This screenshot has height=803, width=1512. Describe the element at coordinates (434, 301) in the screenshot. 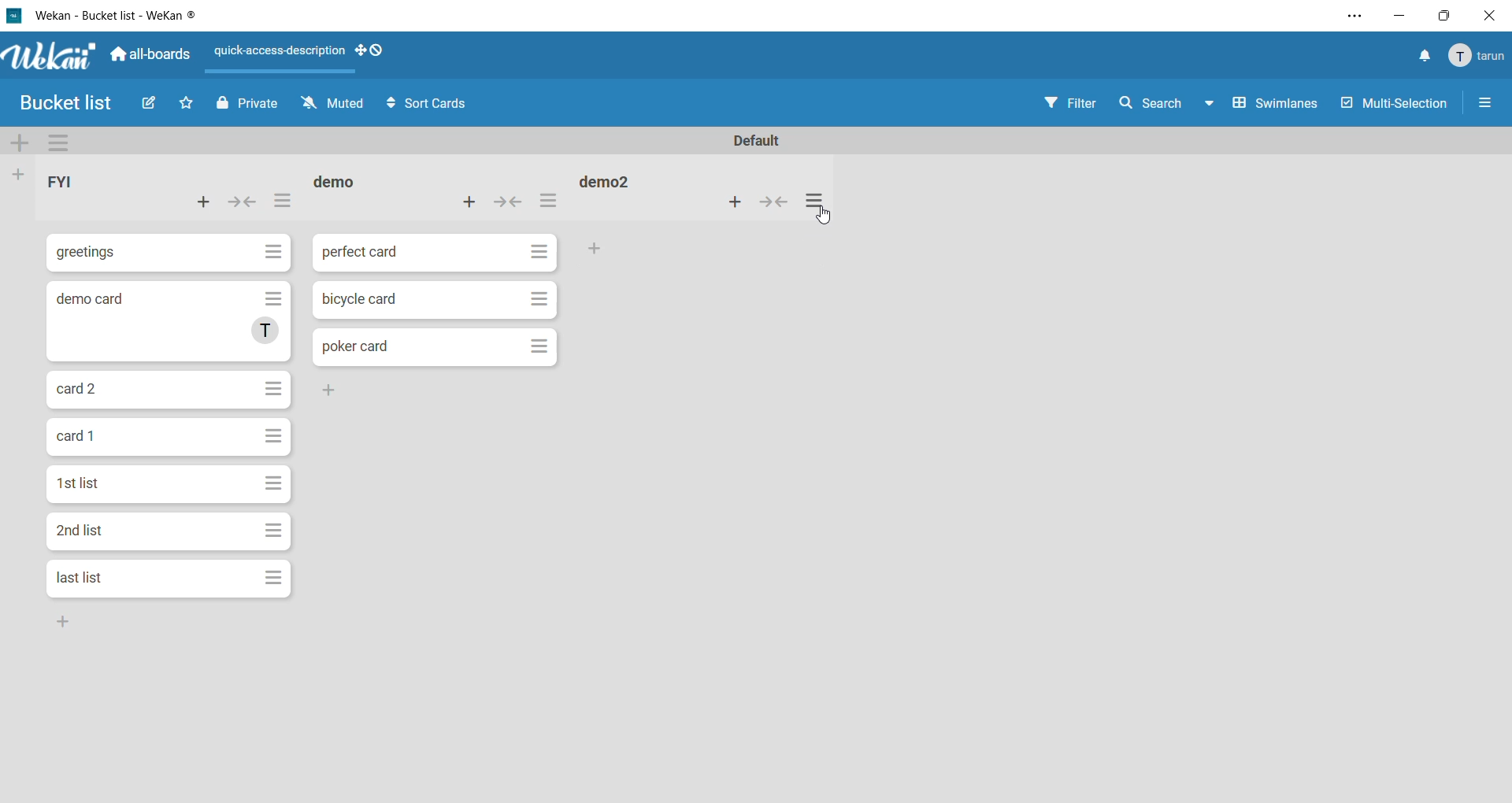

I see `cards` at that location.